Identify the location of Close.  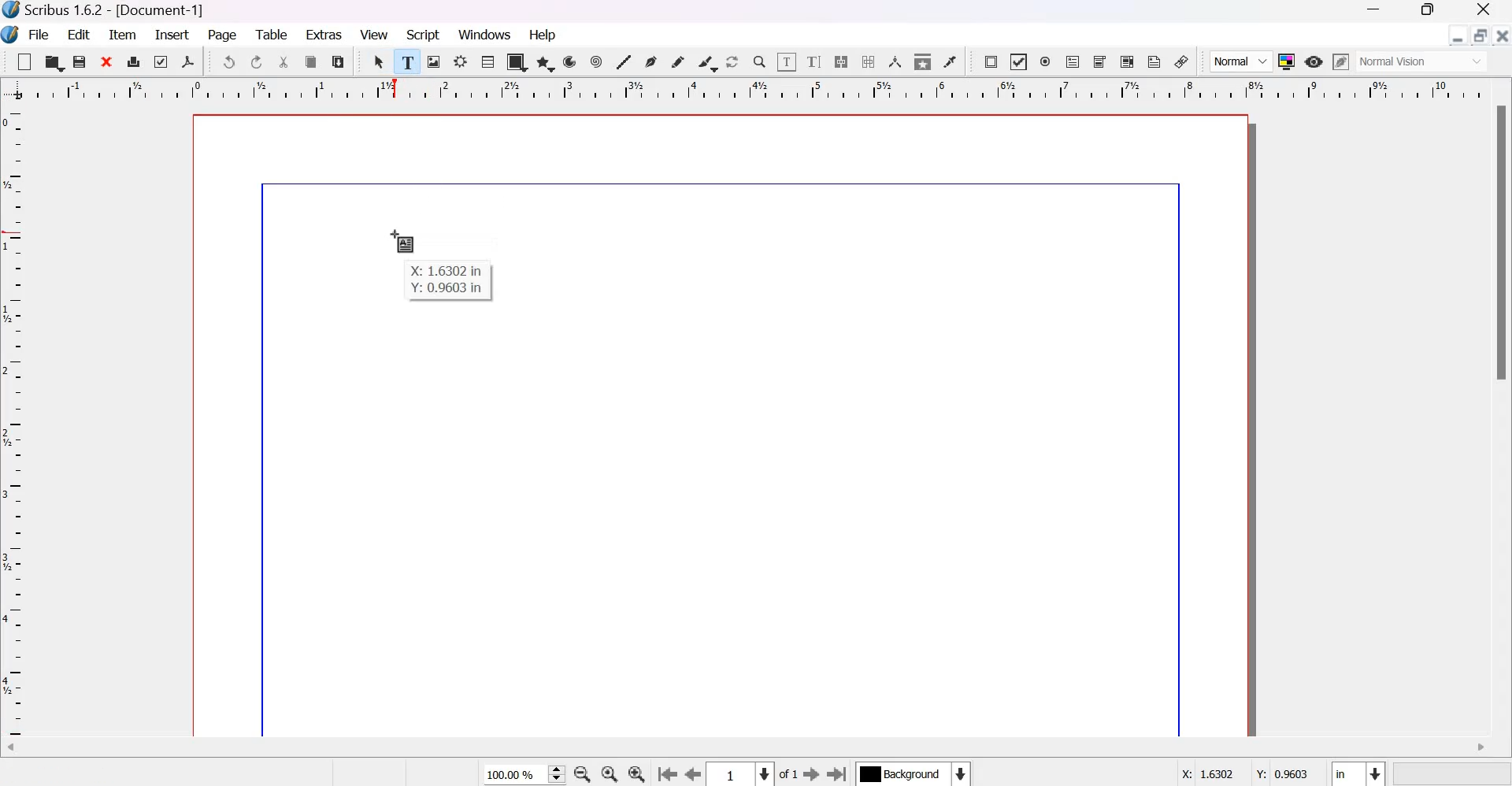
(1484, 11).